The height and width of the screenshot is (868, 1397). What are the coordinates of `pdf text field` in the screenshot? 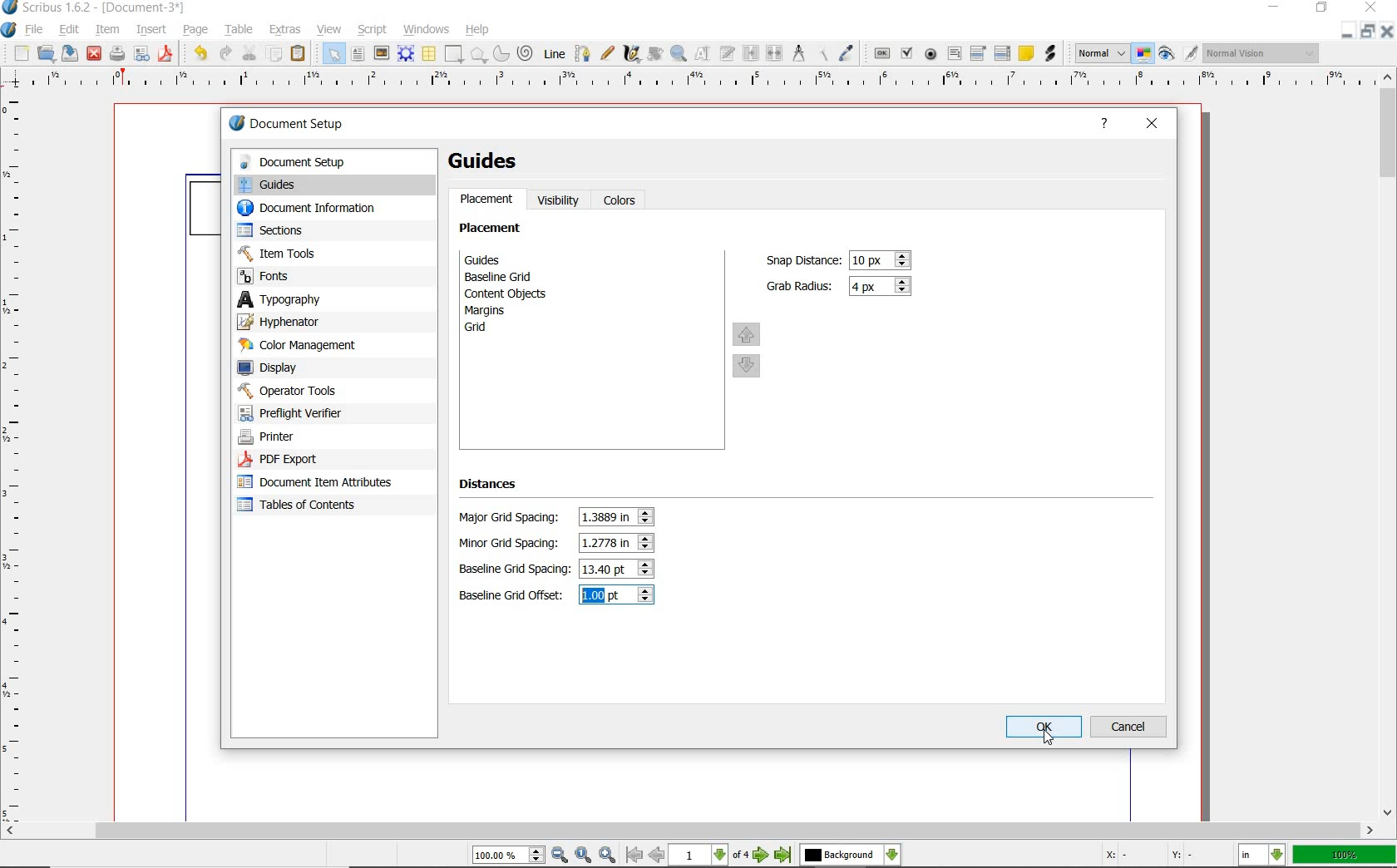 It's located at (955, 53).